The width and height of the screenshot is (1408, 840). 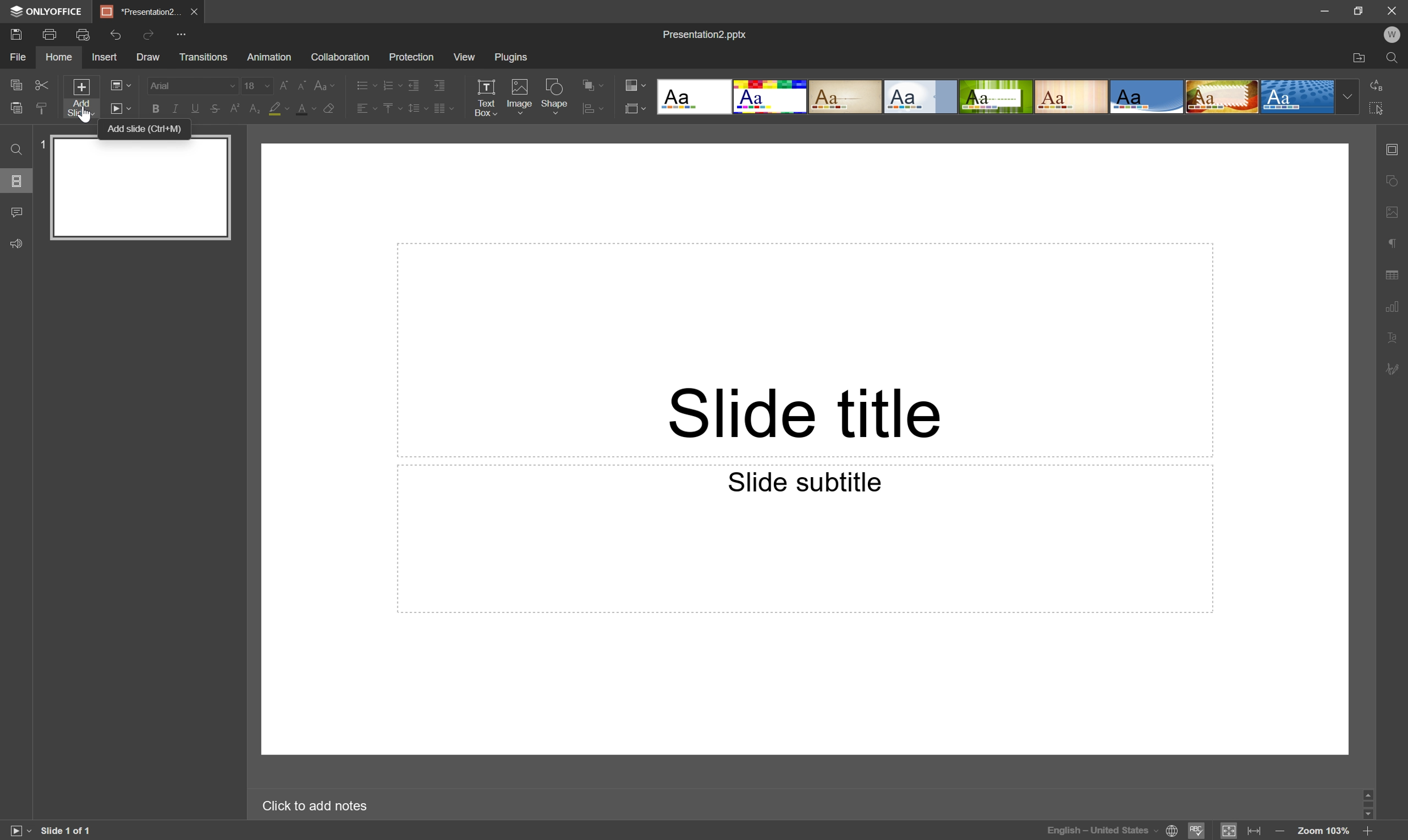 What do you see at coordinates (363, 83) in the screenshot?
I see `Bullets` at bounding box center [363, 83].